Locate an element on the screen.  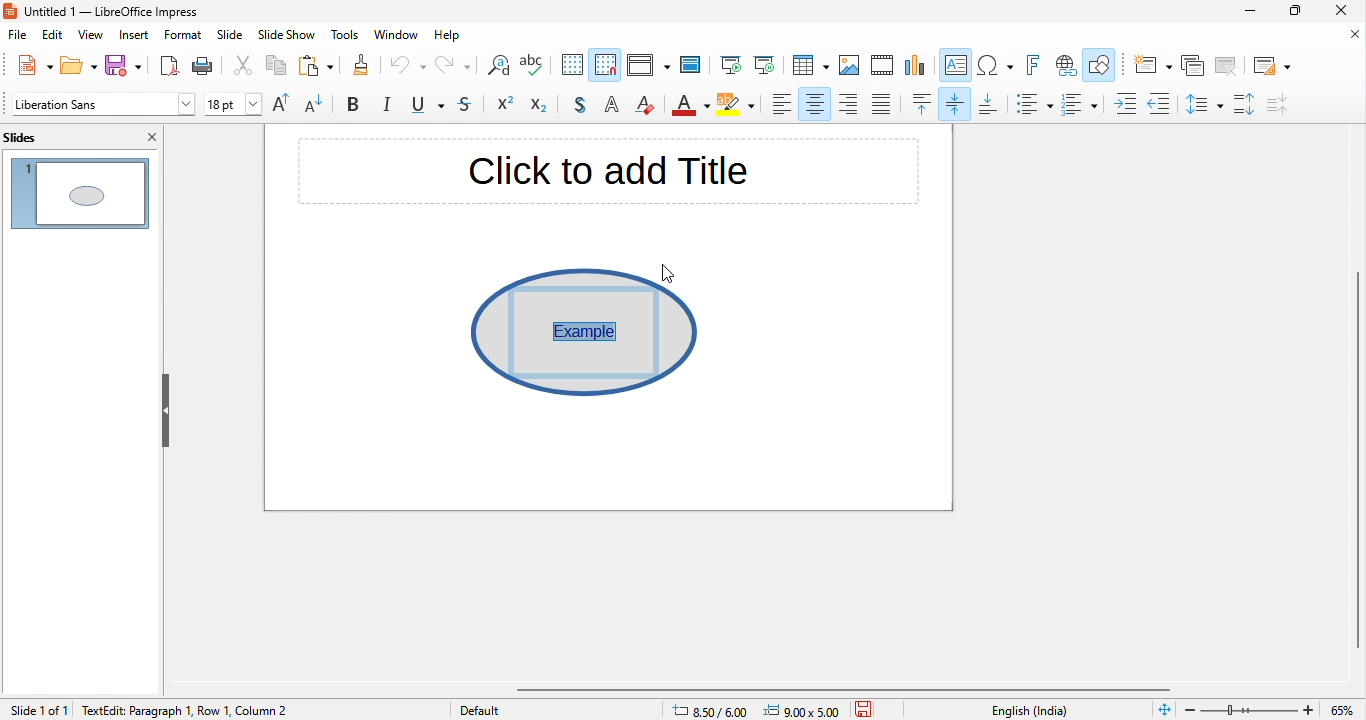
delete slide is located at coordinates (1226, 66).